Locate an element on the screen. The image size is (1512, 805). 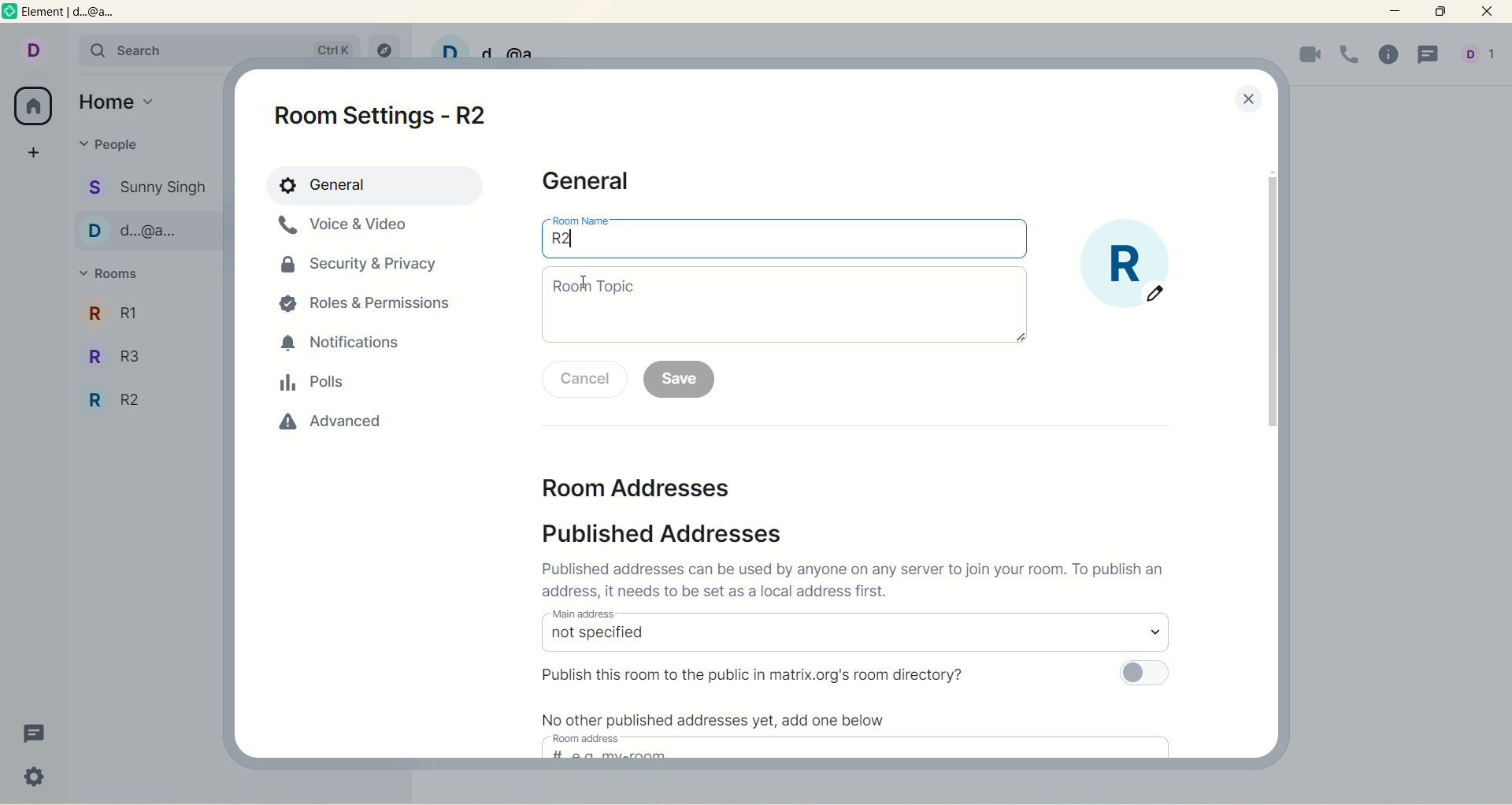
threads is located at coordinates (1428, 57).